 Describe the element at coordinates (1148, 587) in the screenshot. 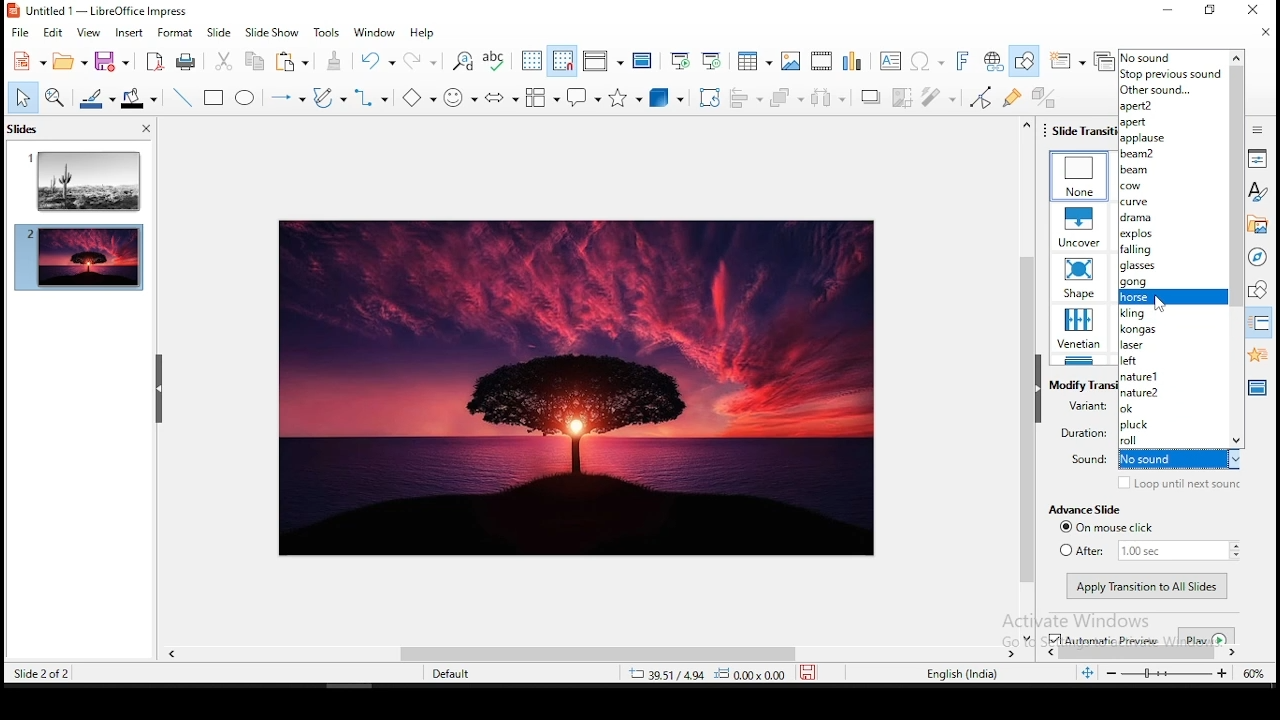

I see `apply transition to all slides` at that location.